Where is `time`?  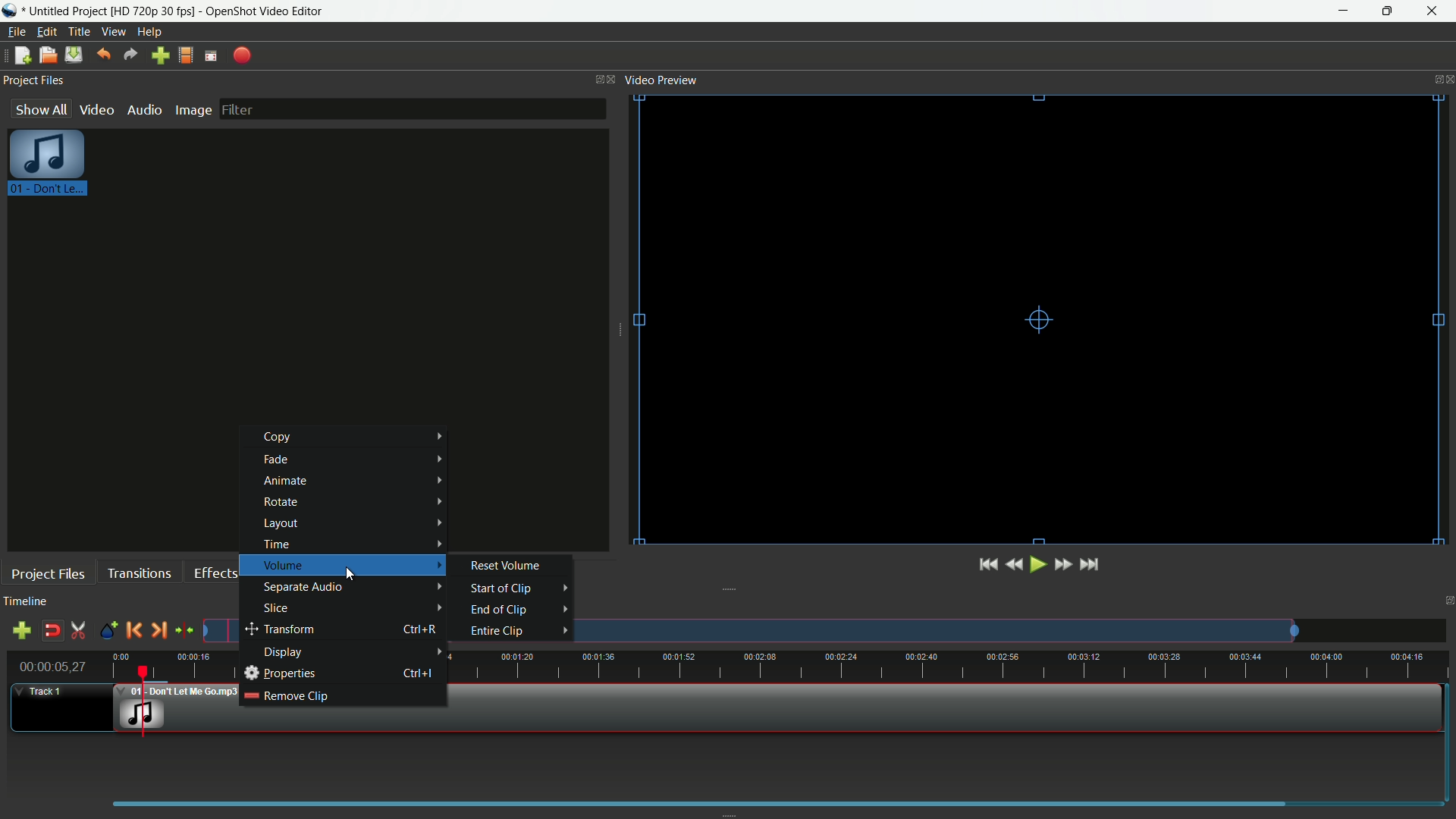 time is located at coordinates (950, 666).